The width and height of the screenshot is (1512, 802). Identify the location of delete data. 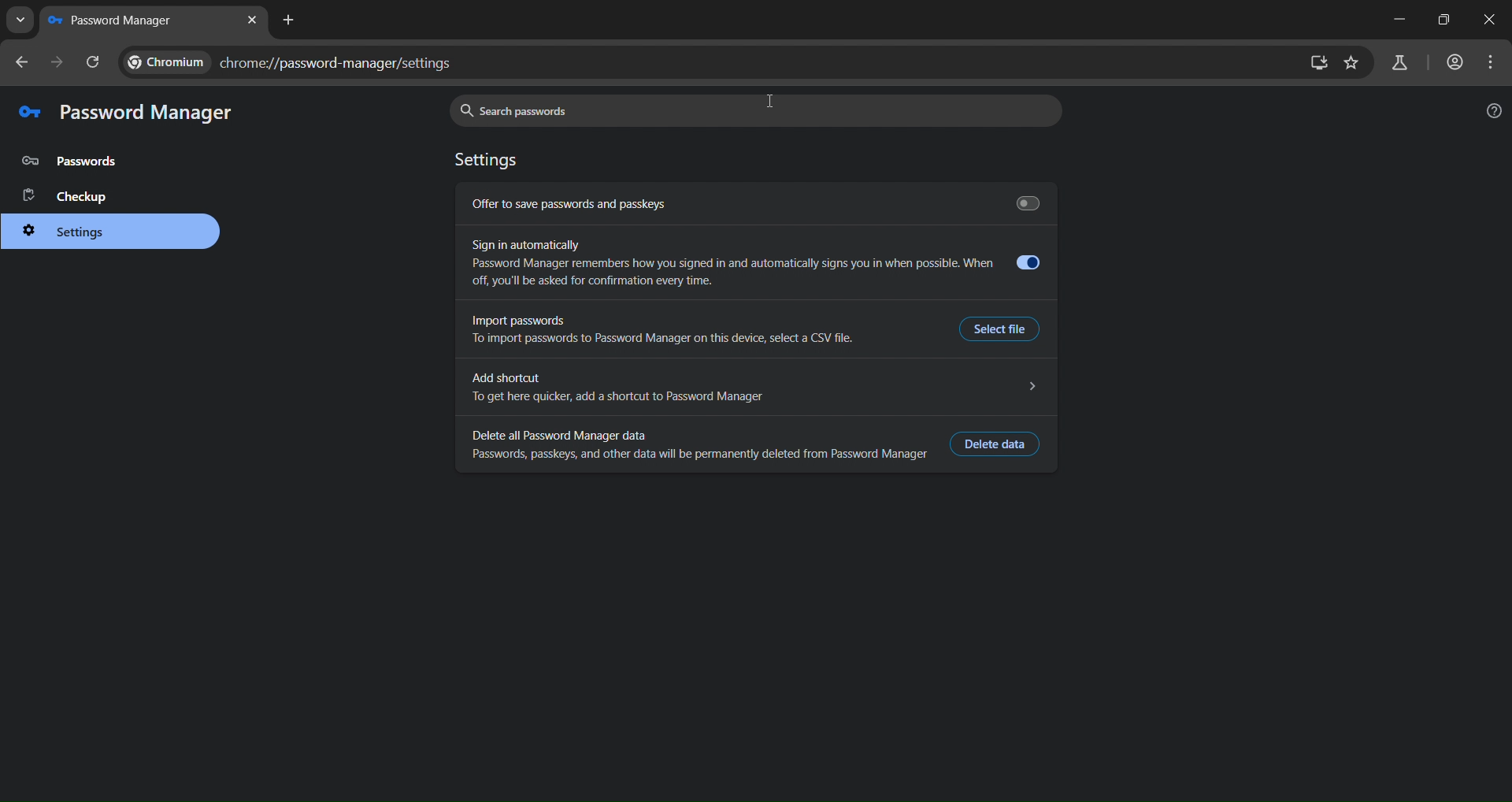
(995, 446).